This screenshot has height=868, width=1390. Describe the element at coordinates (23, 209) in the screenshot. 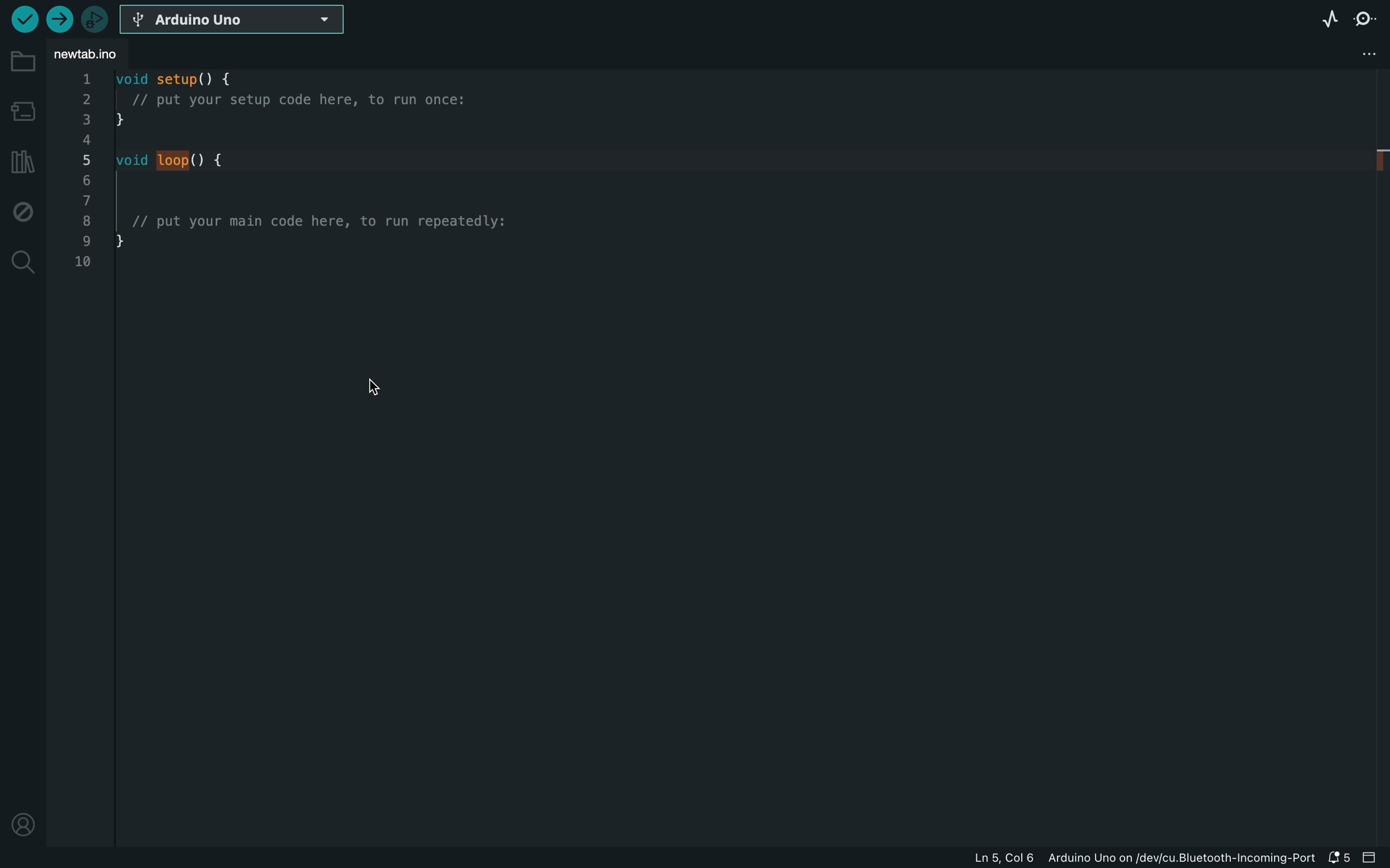

I see `debug` at that location.